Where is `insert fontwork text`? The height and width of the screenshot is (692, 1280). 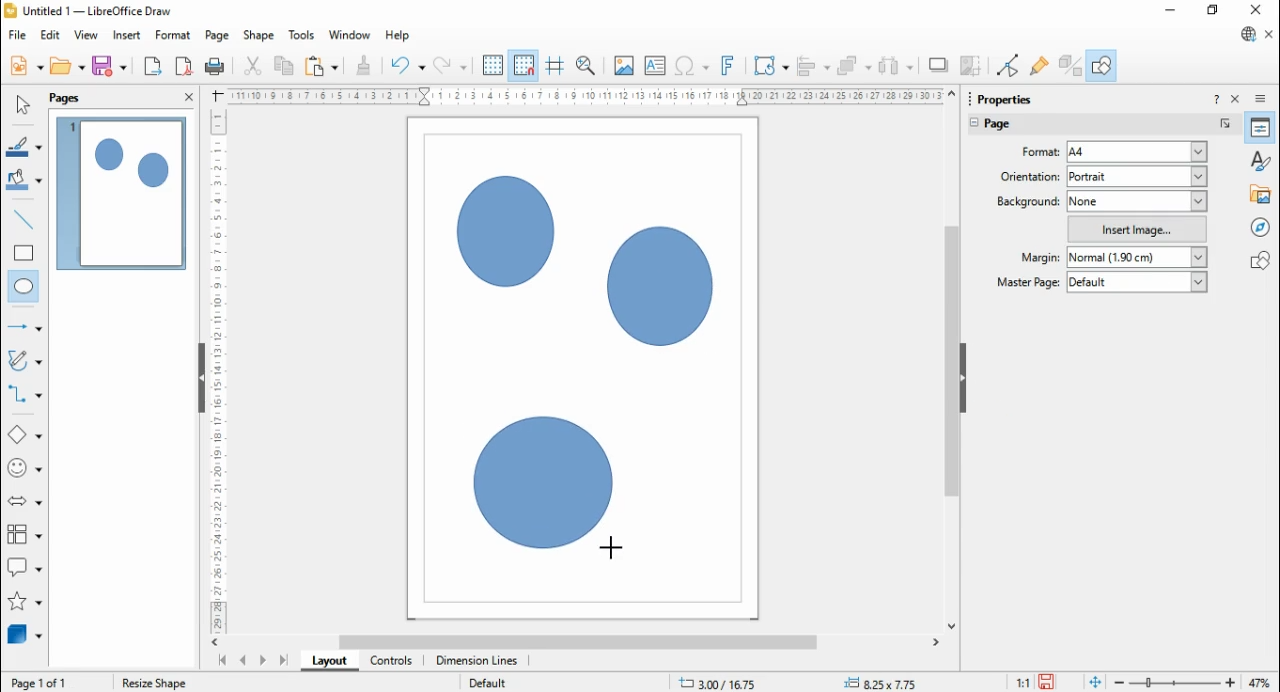
insert fontwork text is located at coordinates (728, 65).